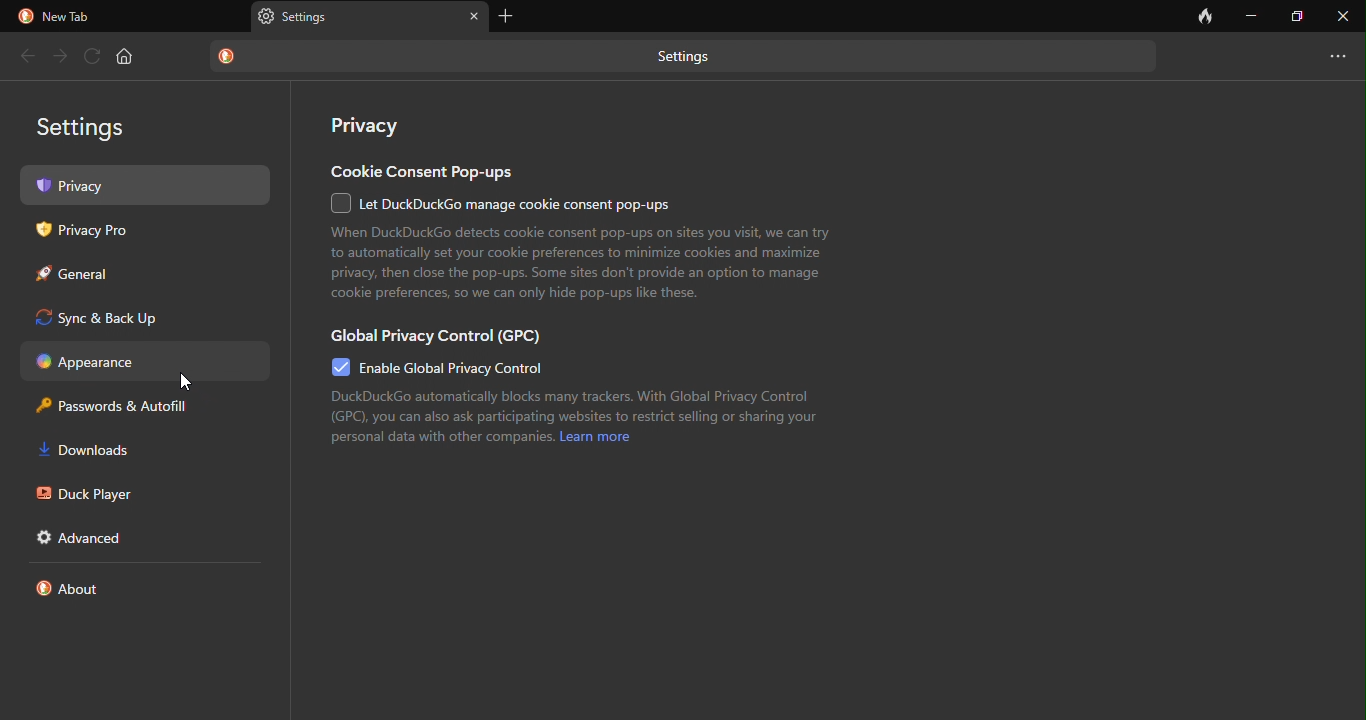 The height and width of the screenshot is (720, 1366). Describe the element at coordinates (1298, 15) in the screenshot. I see `maximize` at that location.